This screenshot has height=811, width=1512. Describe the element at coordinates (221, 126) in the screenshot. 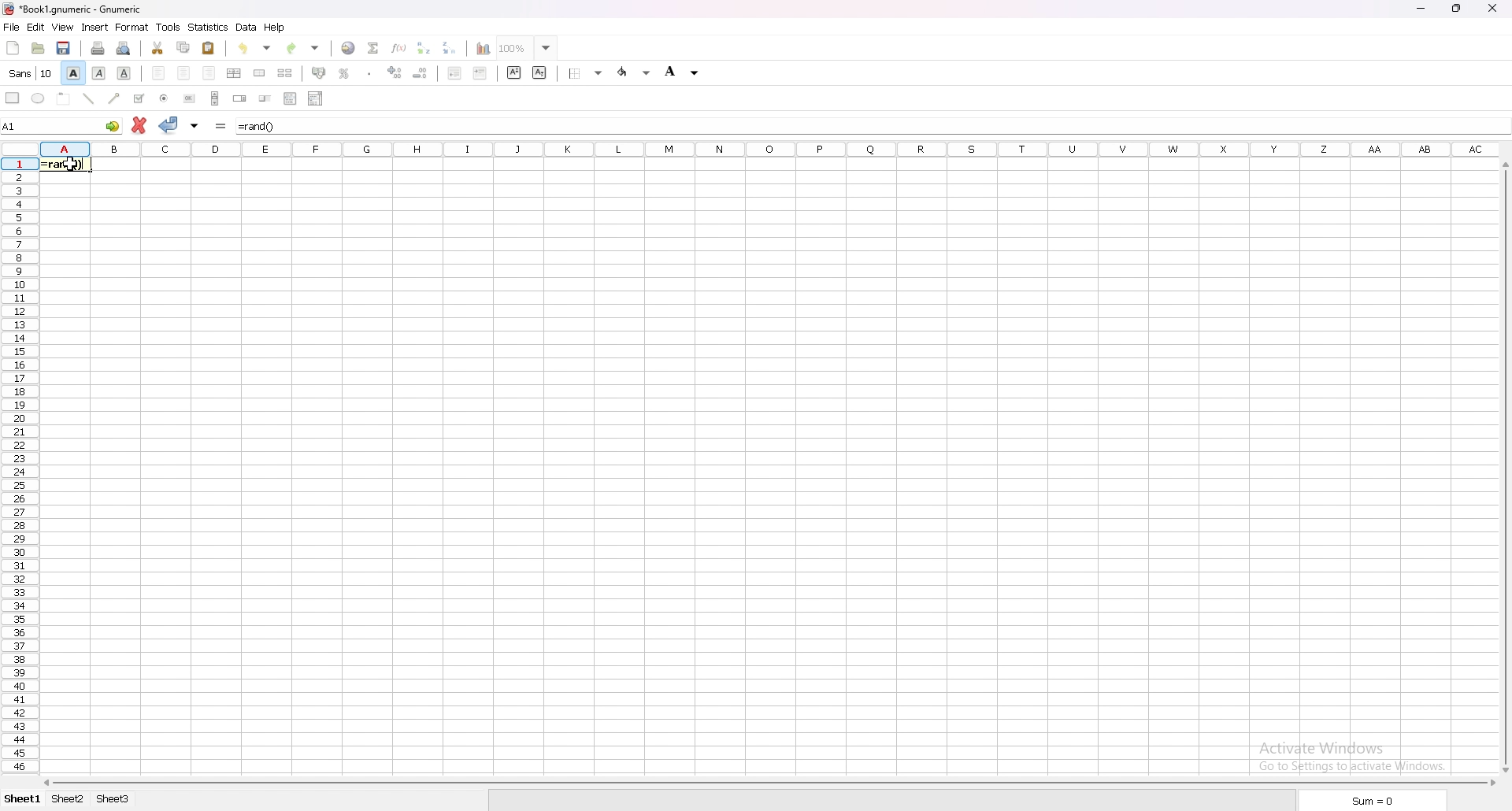

I see `formula` at that location.